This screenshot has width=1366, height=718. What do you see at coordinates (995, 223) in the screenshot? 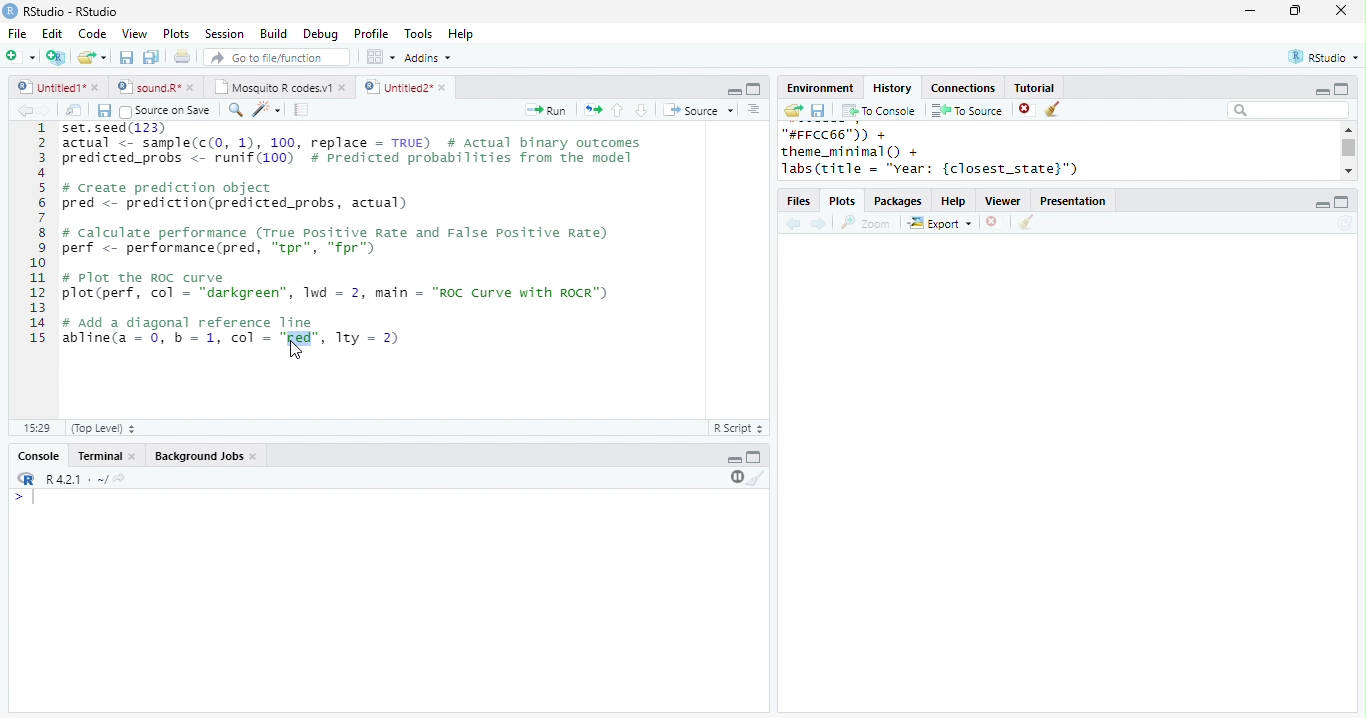
I see `close file` at bounding box center [995, 223].